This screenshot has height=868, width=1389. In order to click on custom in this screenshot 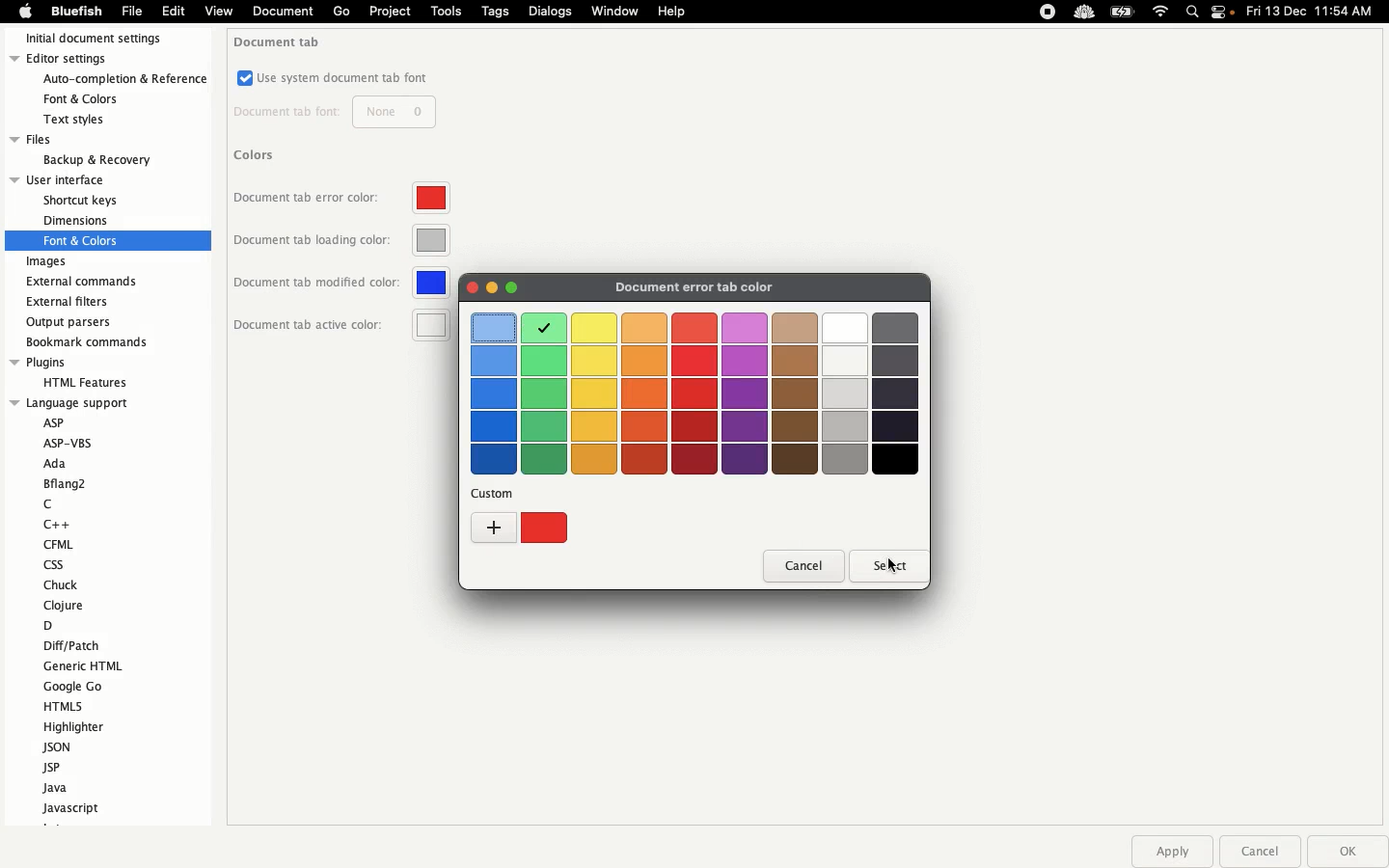, I will do `click(499, 495)`.